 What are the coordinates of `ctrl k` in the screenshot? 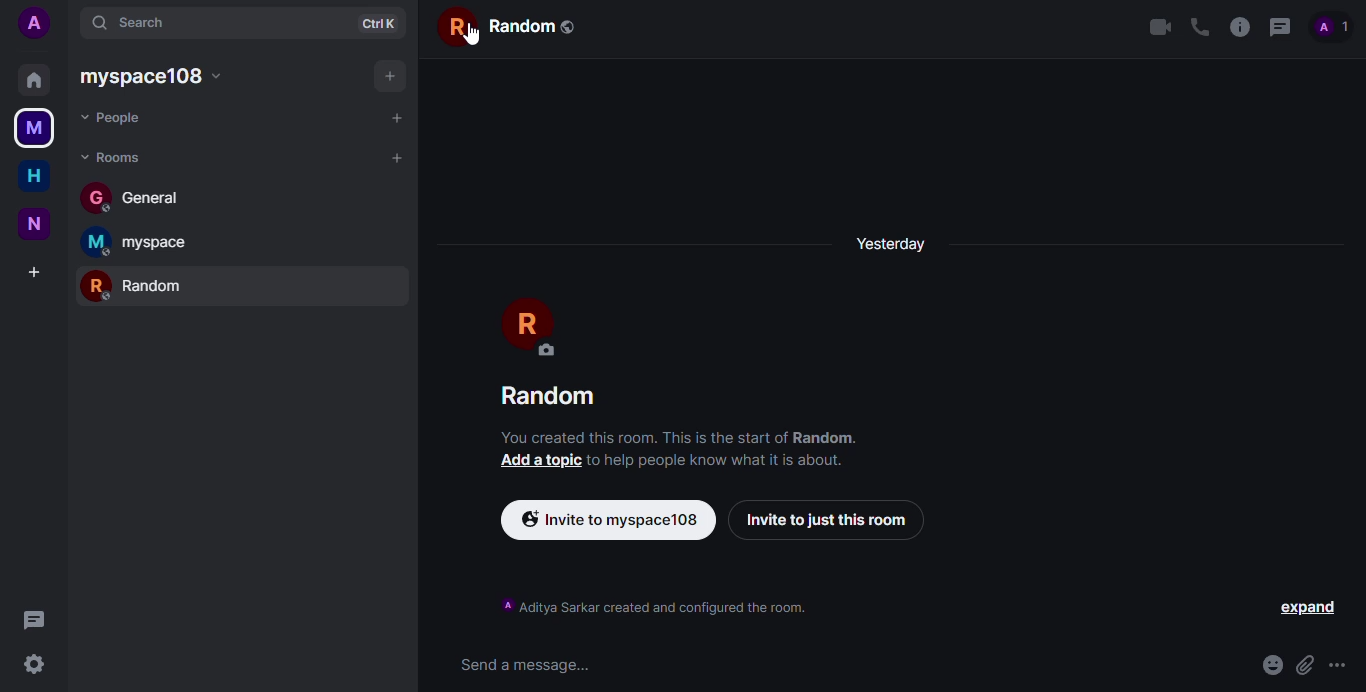 It's located at (377, 21).